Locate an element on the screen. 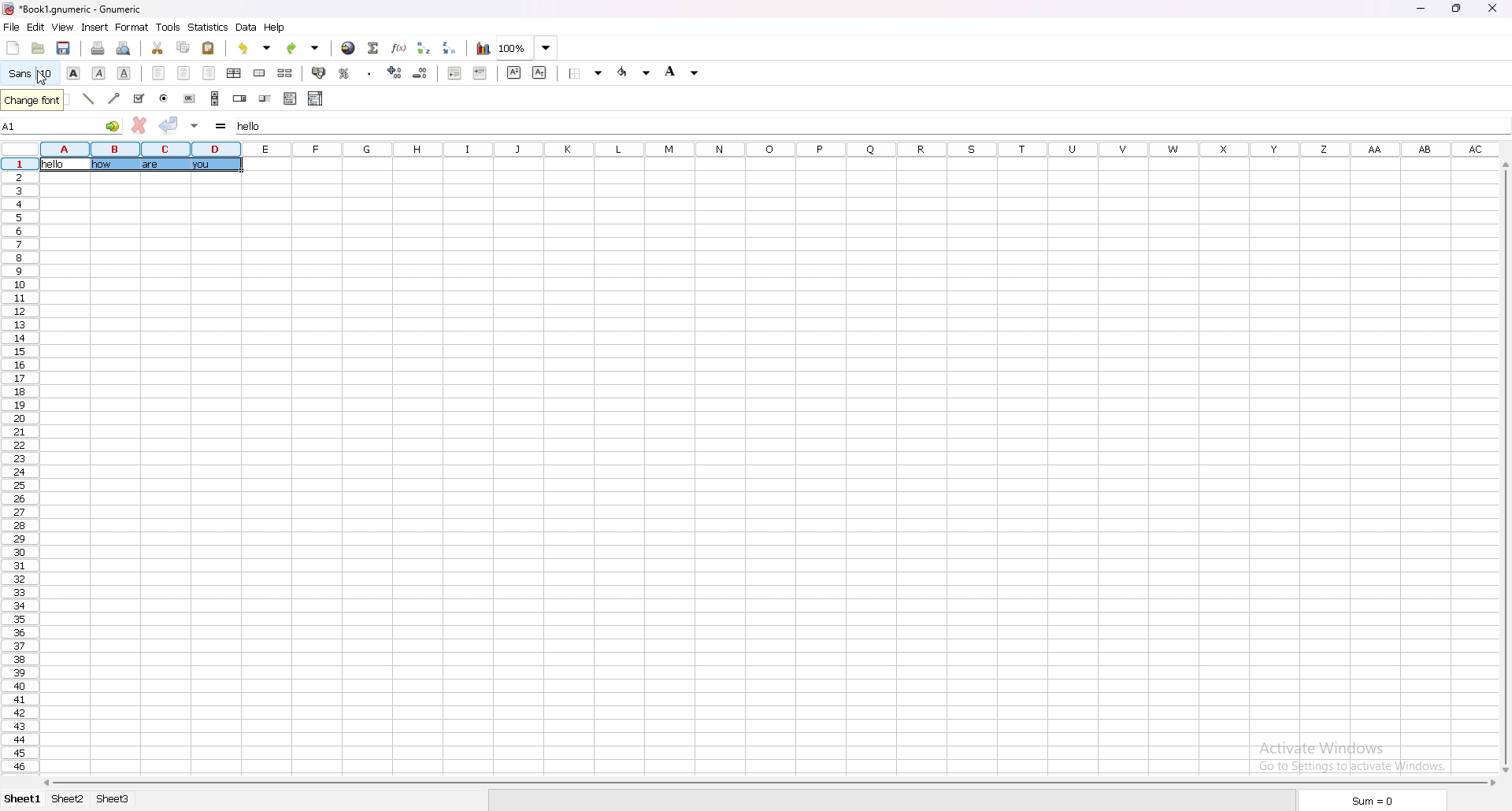 Image resolution: width=1512 pixels, height=811 pixels. minimize is located at coordinates (1425, 7).